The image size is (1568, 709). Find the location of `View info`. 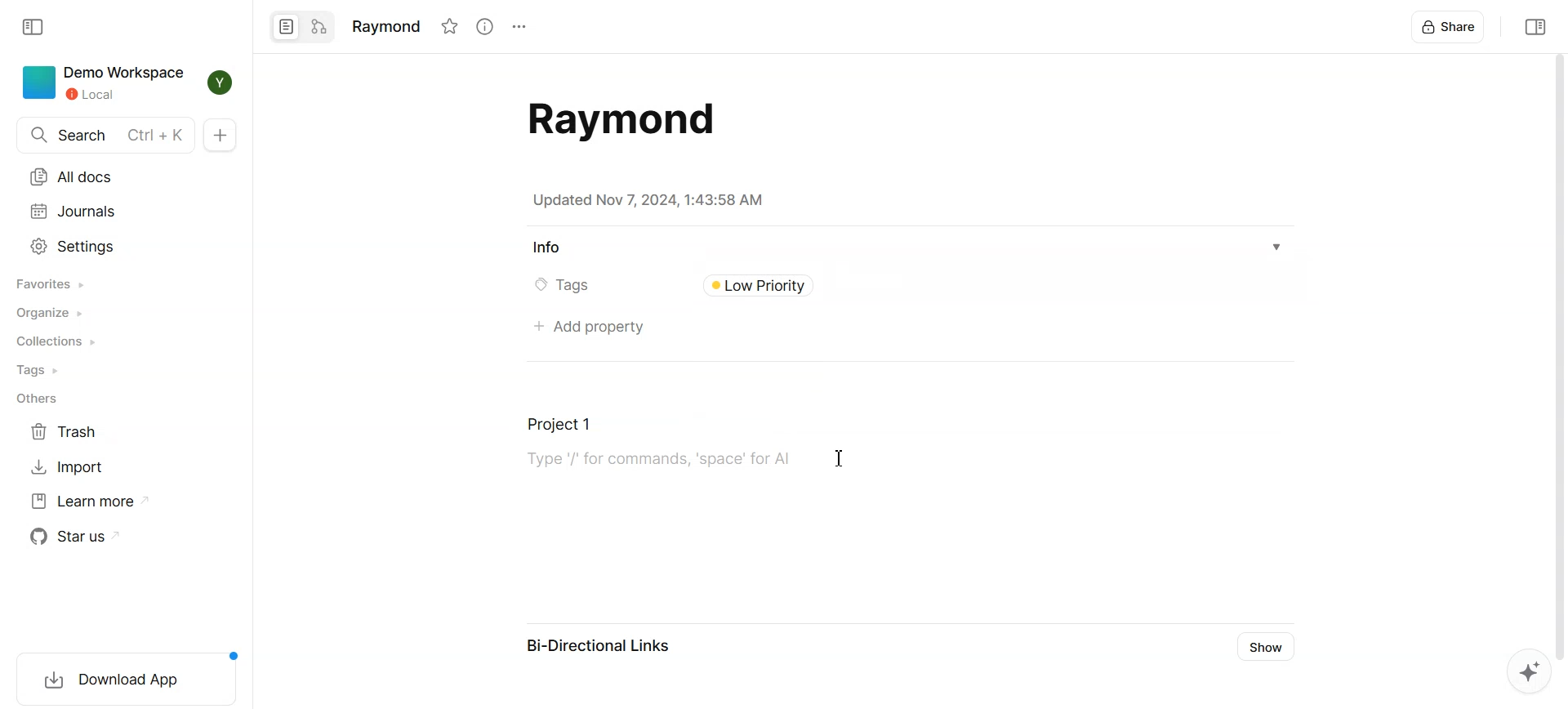

View info is located at coordinates (483, 26).